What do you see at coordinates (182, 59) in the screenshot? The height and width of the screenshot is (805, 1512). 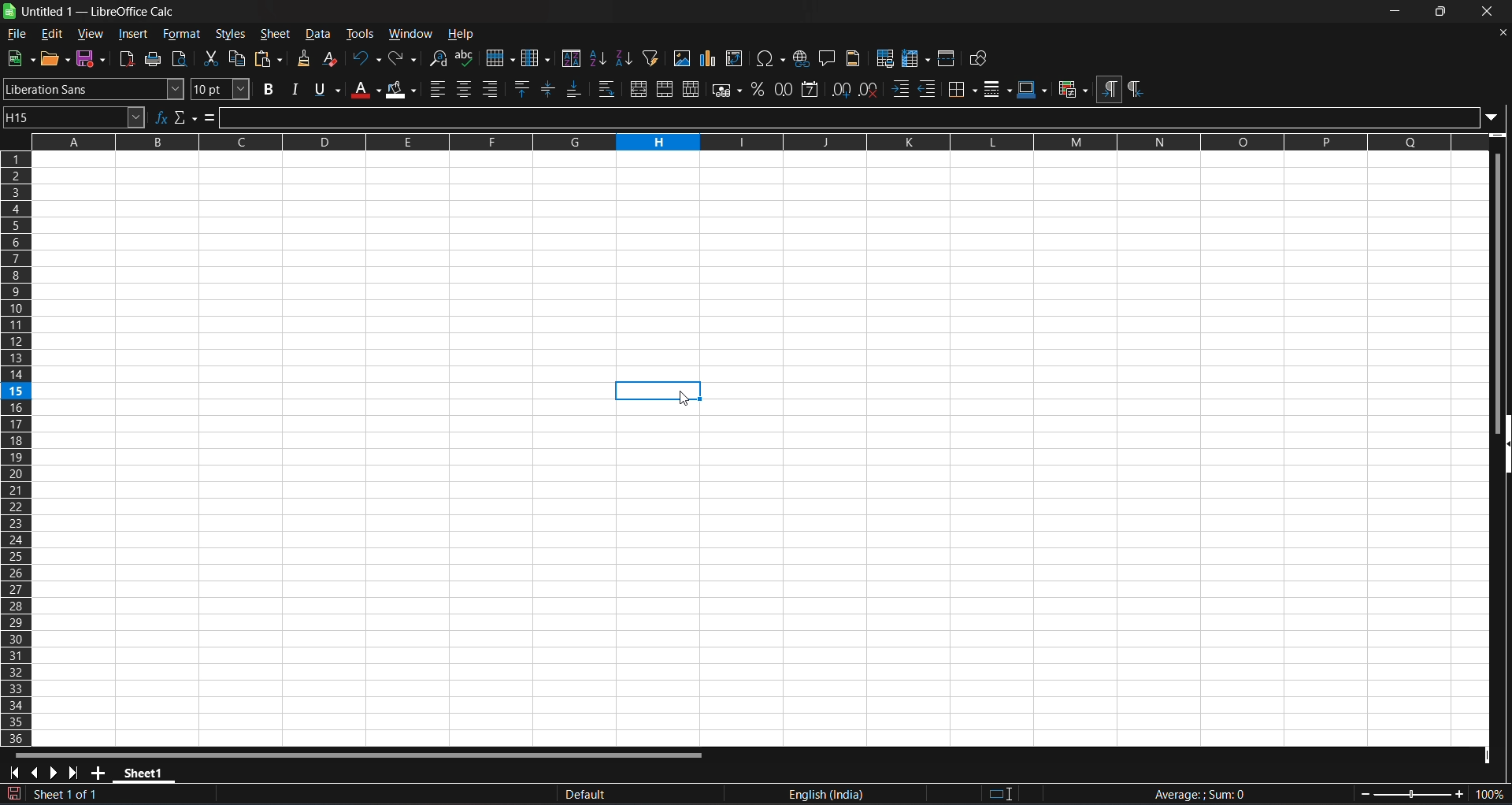 I see `toggle print view` at bounding box center [182, 59].